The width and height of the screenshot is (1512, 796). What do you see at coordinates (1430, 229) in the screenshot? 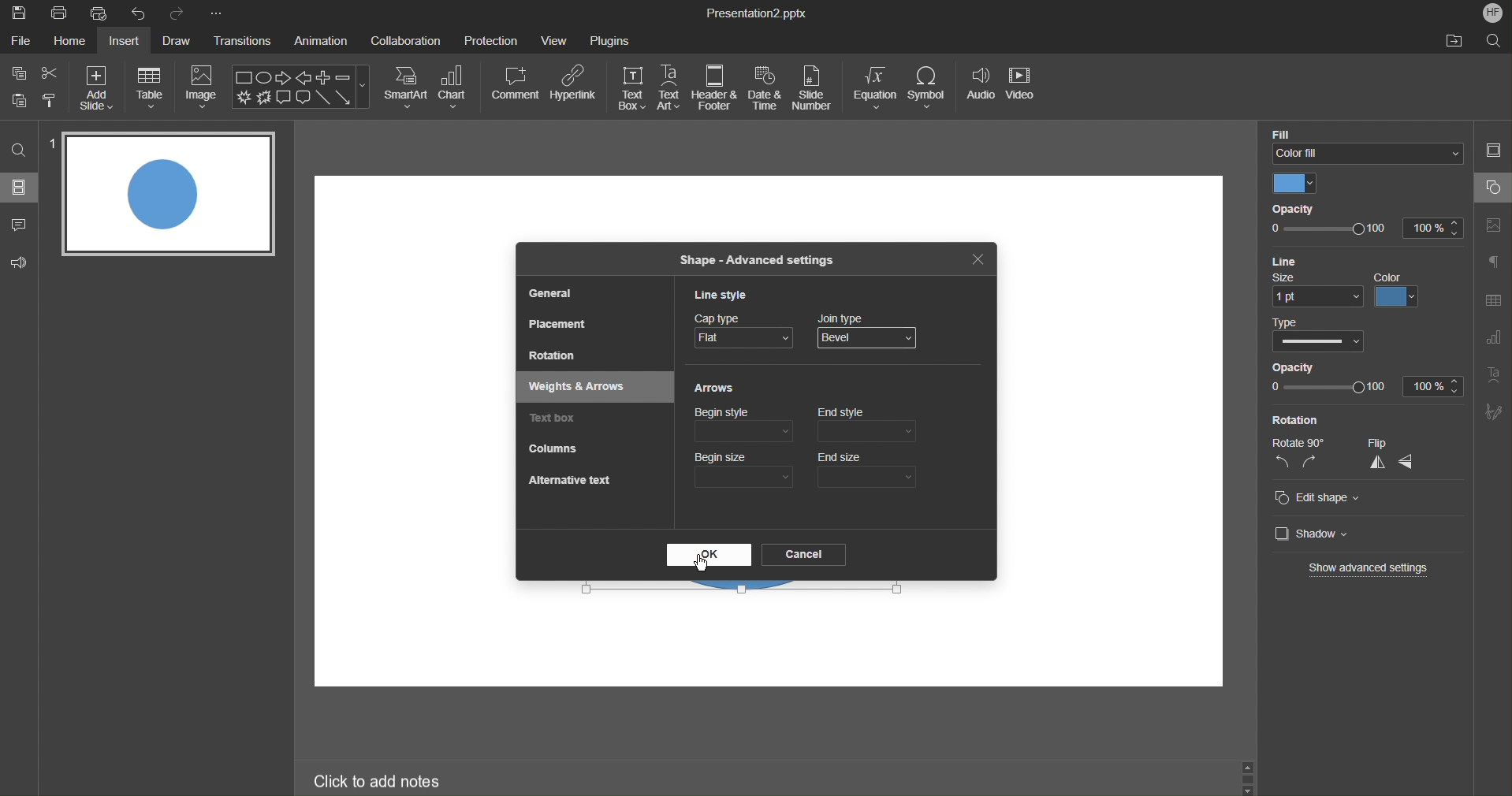
I see `100%` at bounding box center [1430, 229].